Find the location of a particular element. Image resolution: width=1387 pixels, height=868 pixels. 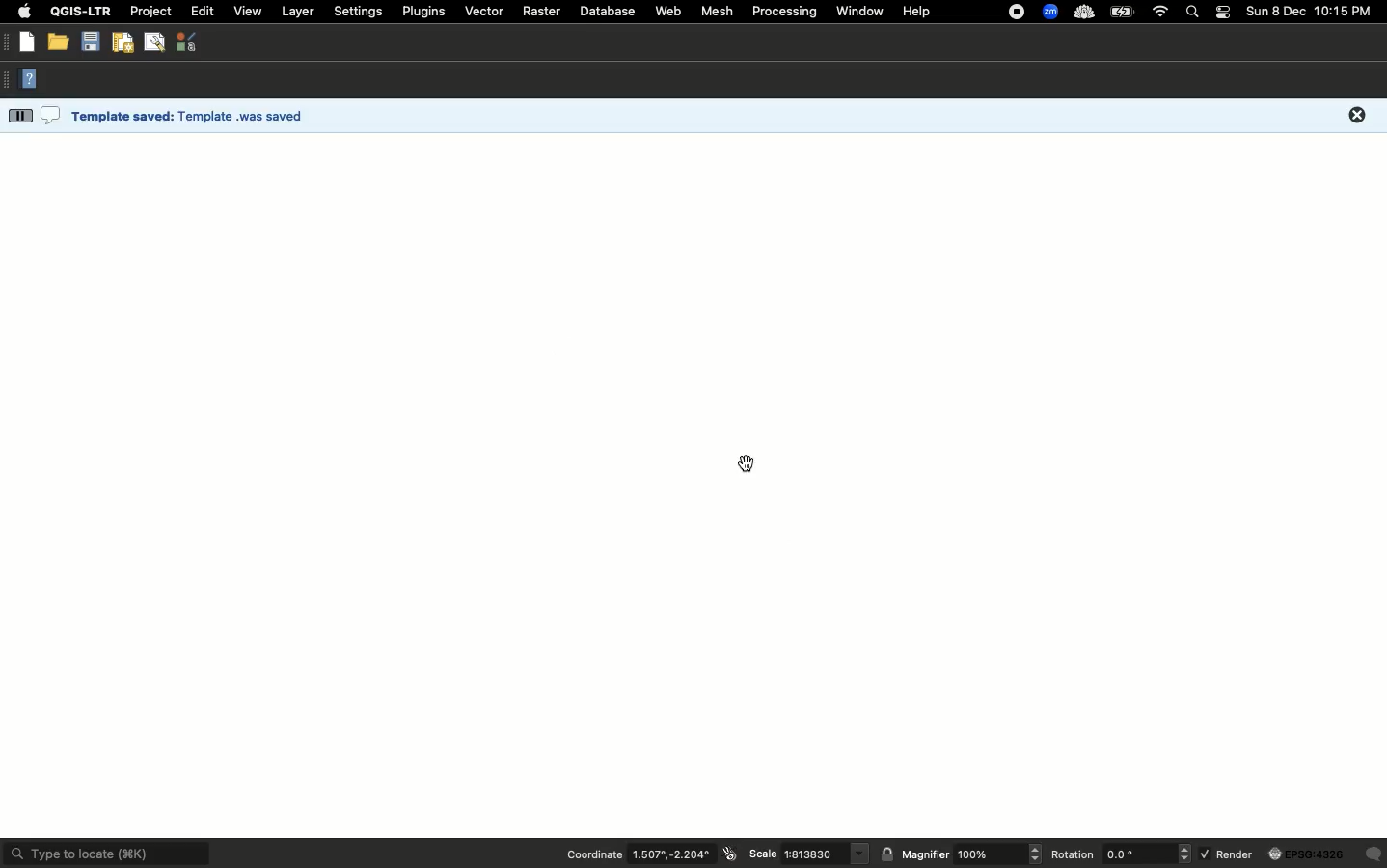

globe is located at coordinates (1309, 854).